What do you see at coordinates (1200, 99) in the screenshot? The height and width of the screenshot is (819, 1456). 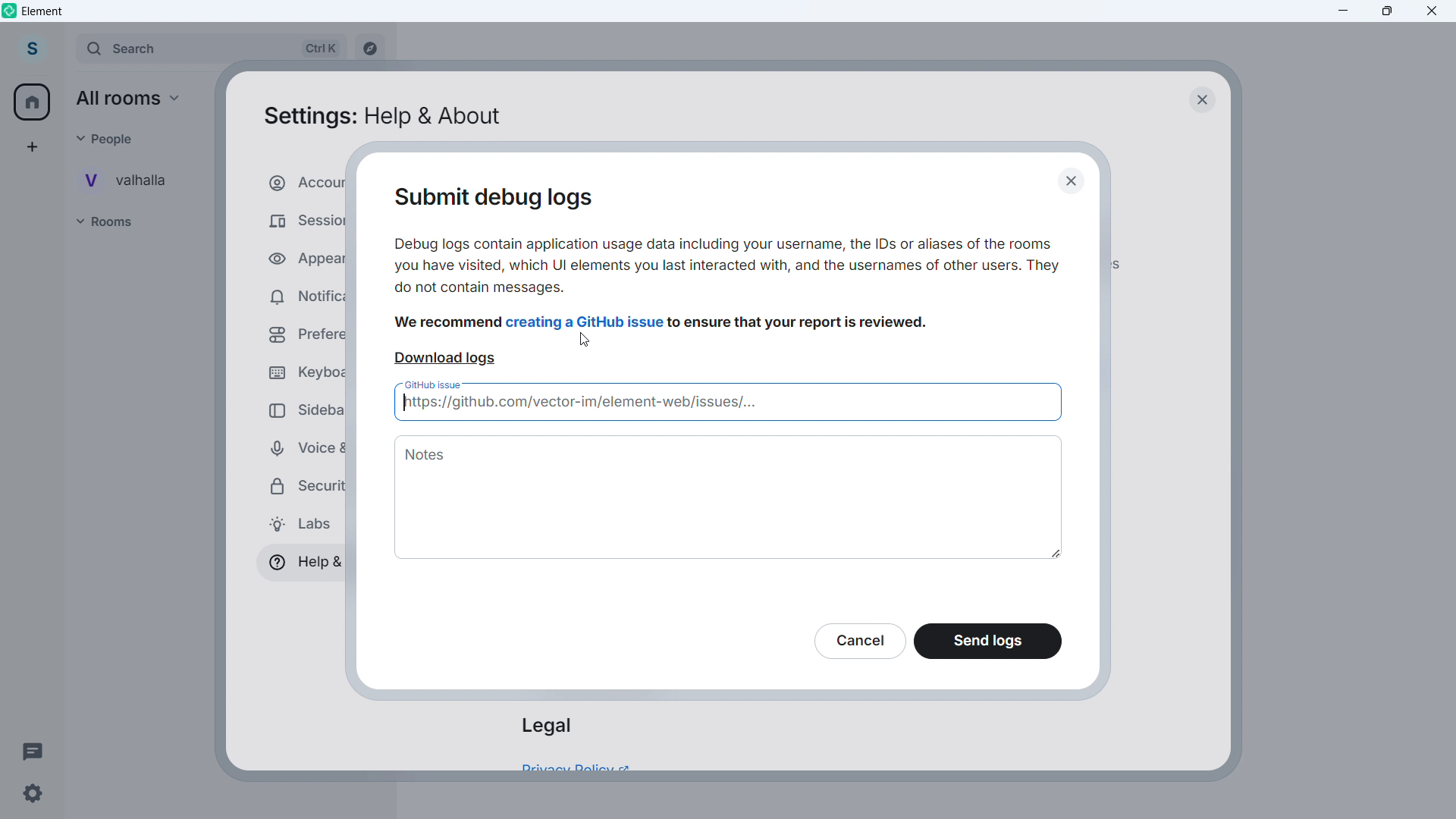 I see `Close dialogue box ` at bounding box center [1200, 99].